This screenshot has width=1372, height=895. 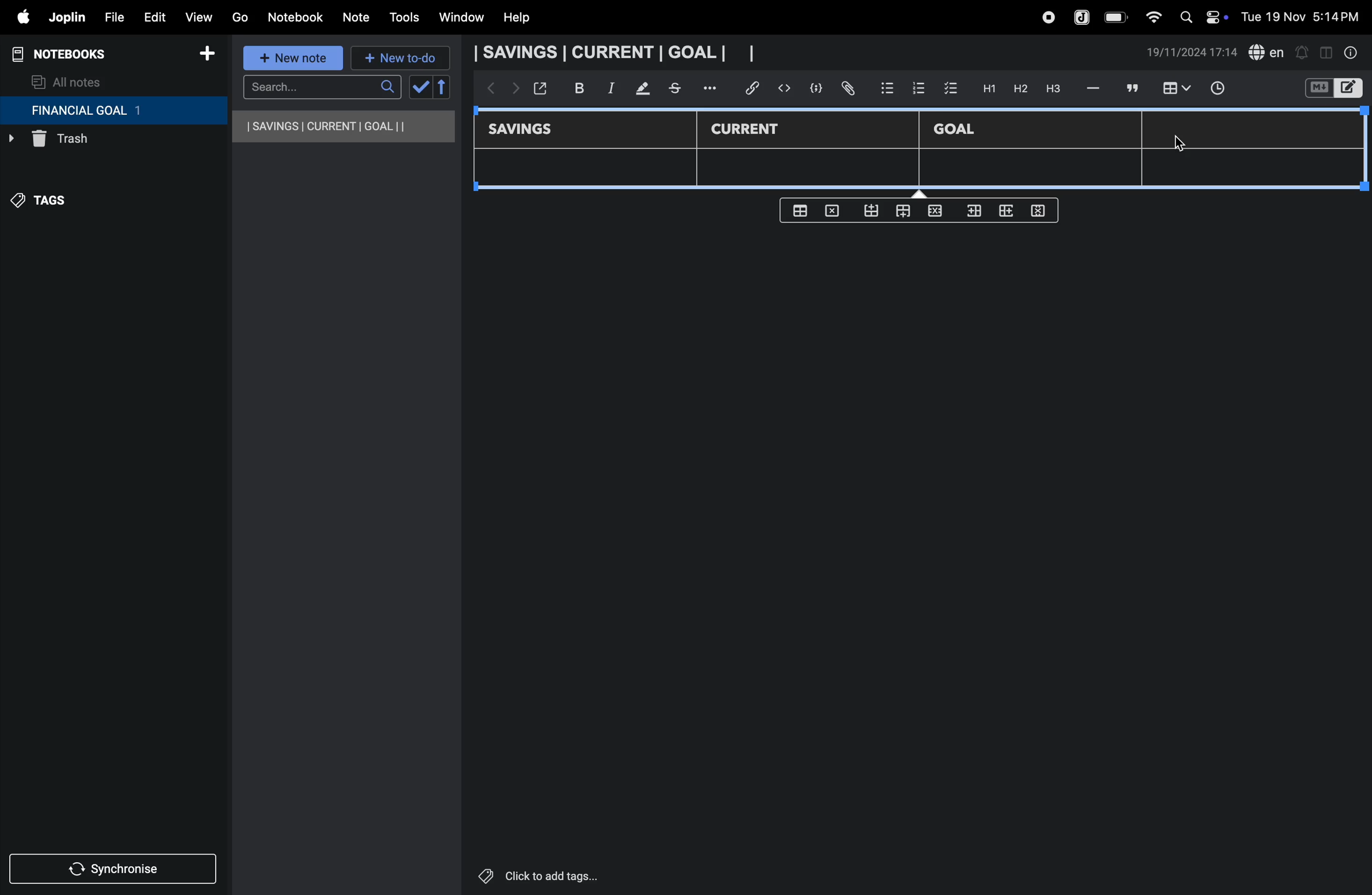 I want to click on h2, so click(x=1019, y=88).